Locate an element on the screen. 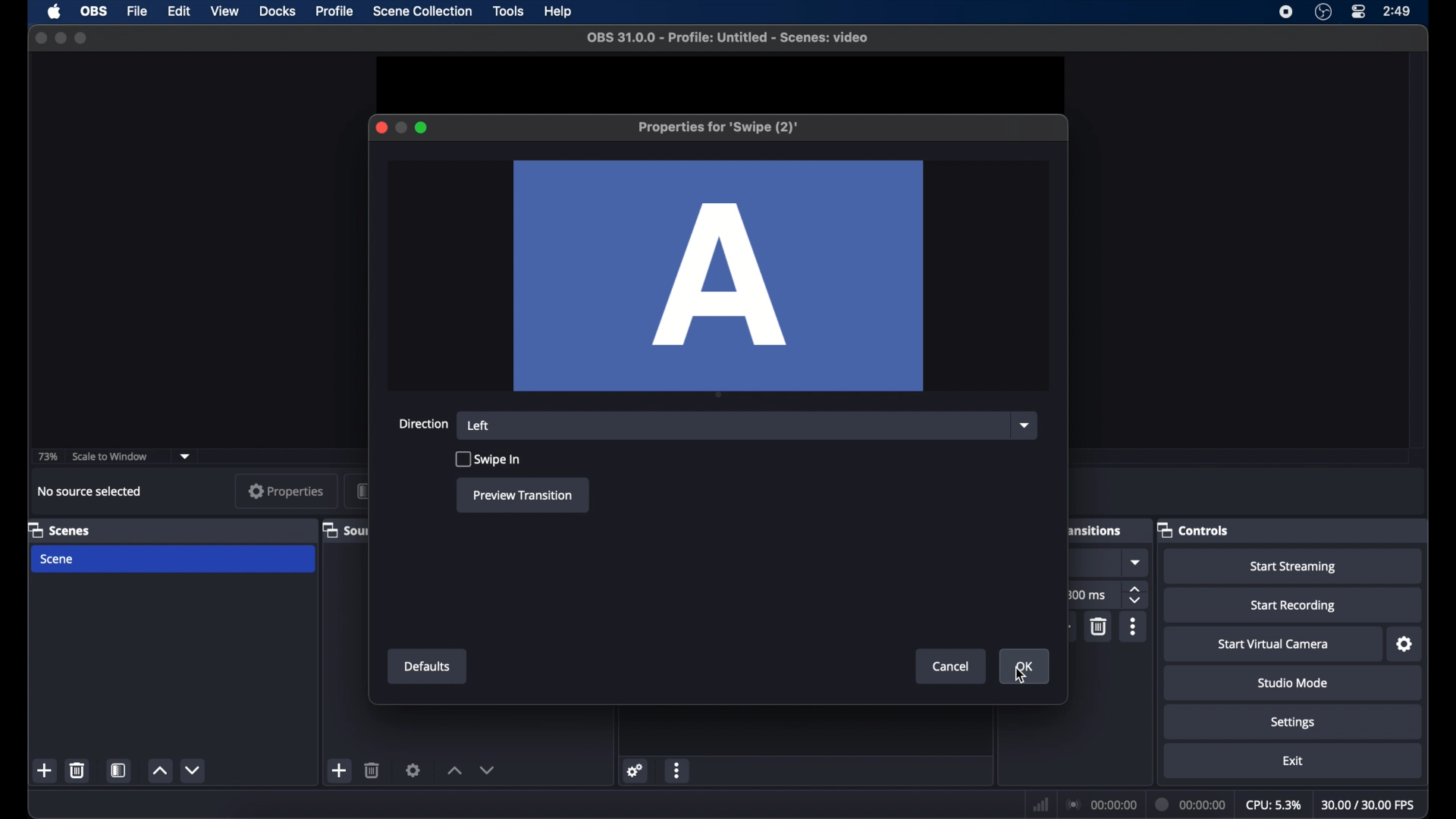 The image size is (1456, 819). increment is located at coordinates (455, 770).